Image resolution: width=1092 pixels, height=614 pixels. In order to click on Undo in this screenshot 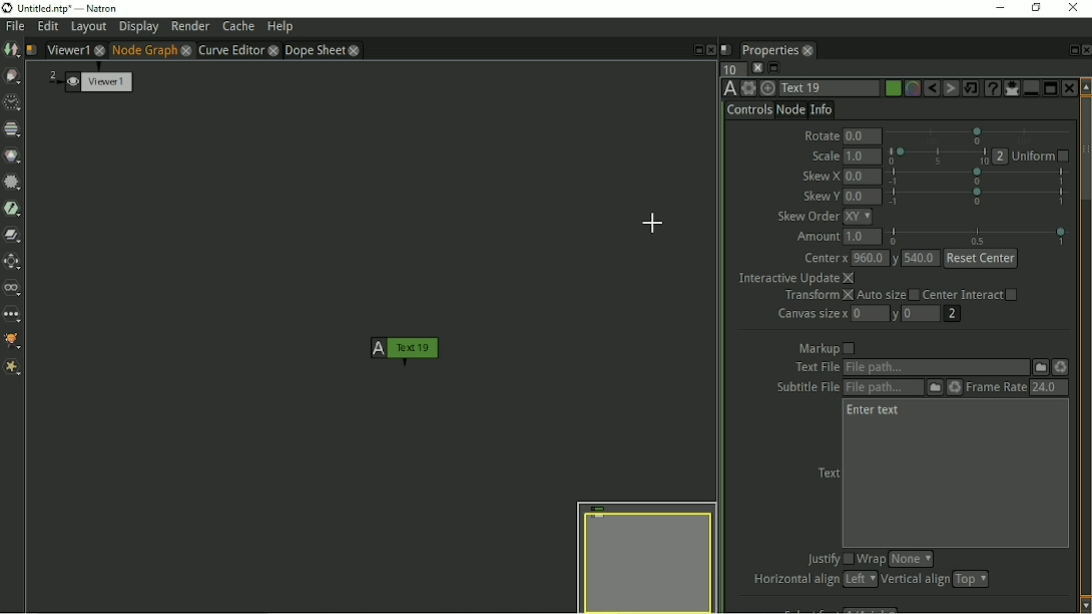, I will do `click(931, 88)`.